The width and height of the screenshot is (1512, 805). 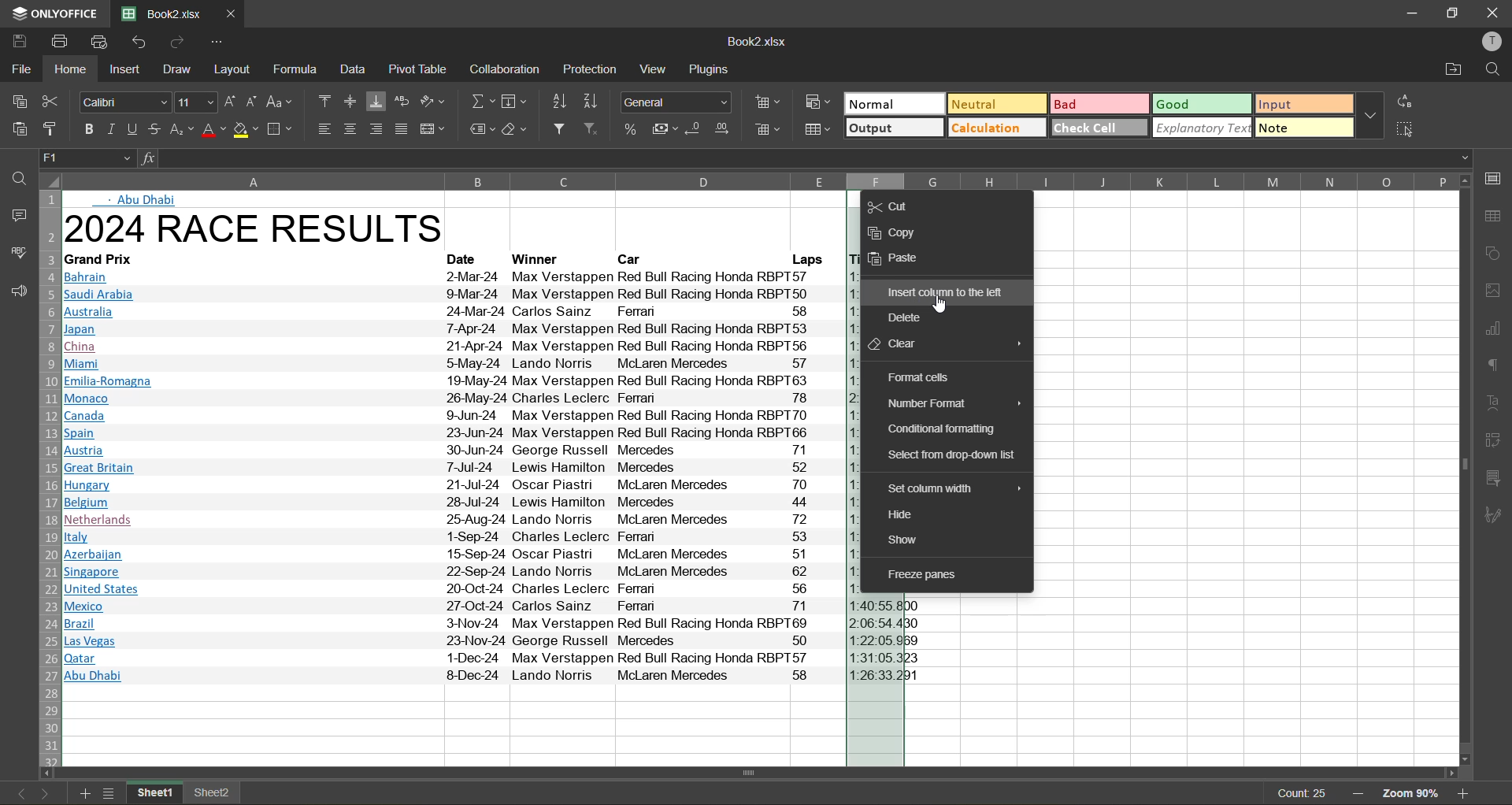 What do you see at coordinates (728, 127) in the screenshot?
I see `increase decimal` at bounding box center [728, 127].